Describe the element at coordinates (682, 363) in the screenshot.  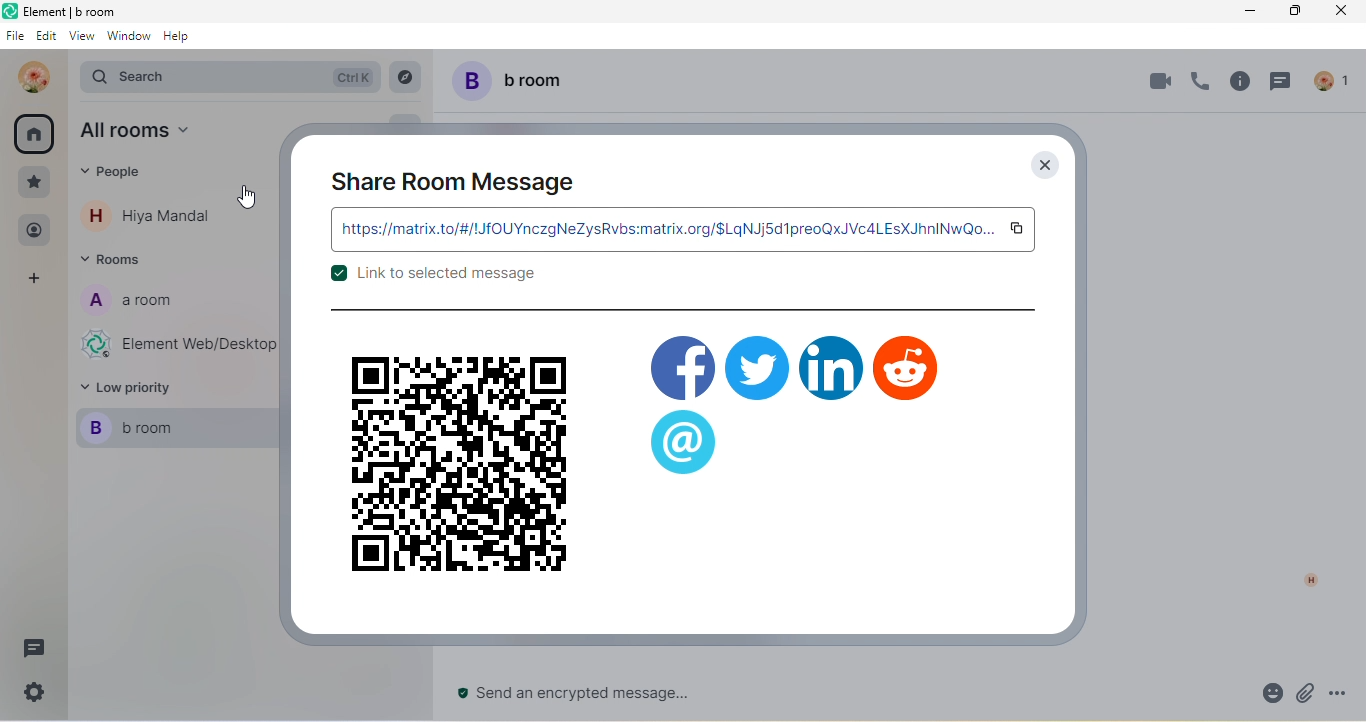
I see `facebook` at that location.